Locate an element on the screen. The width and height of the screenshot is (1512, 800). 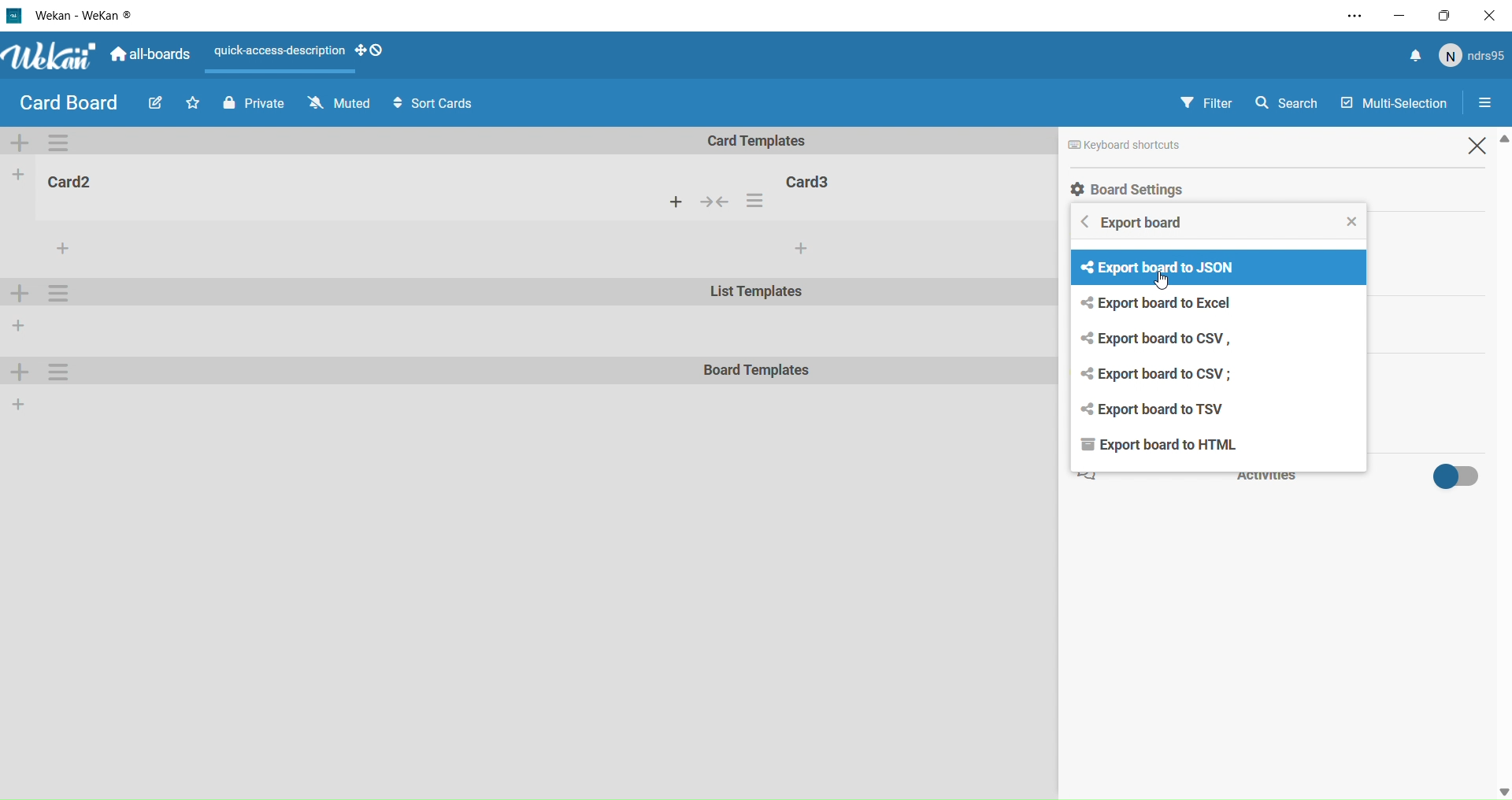
Private is located at coordinates (250, 102).